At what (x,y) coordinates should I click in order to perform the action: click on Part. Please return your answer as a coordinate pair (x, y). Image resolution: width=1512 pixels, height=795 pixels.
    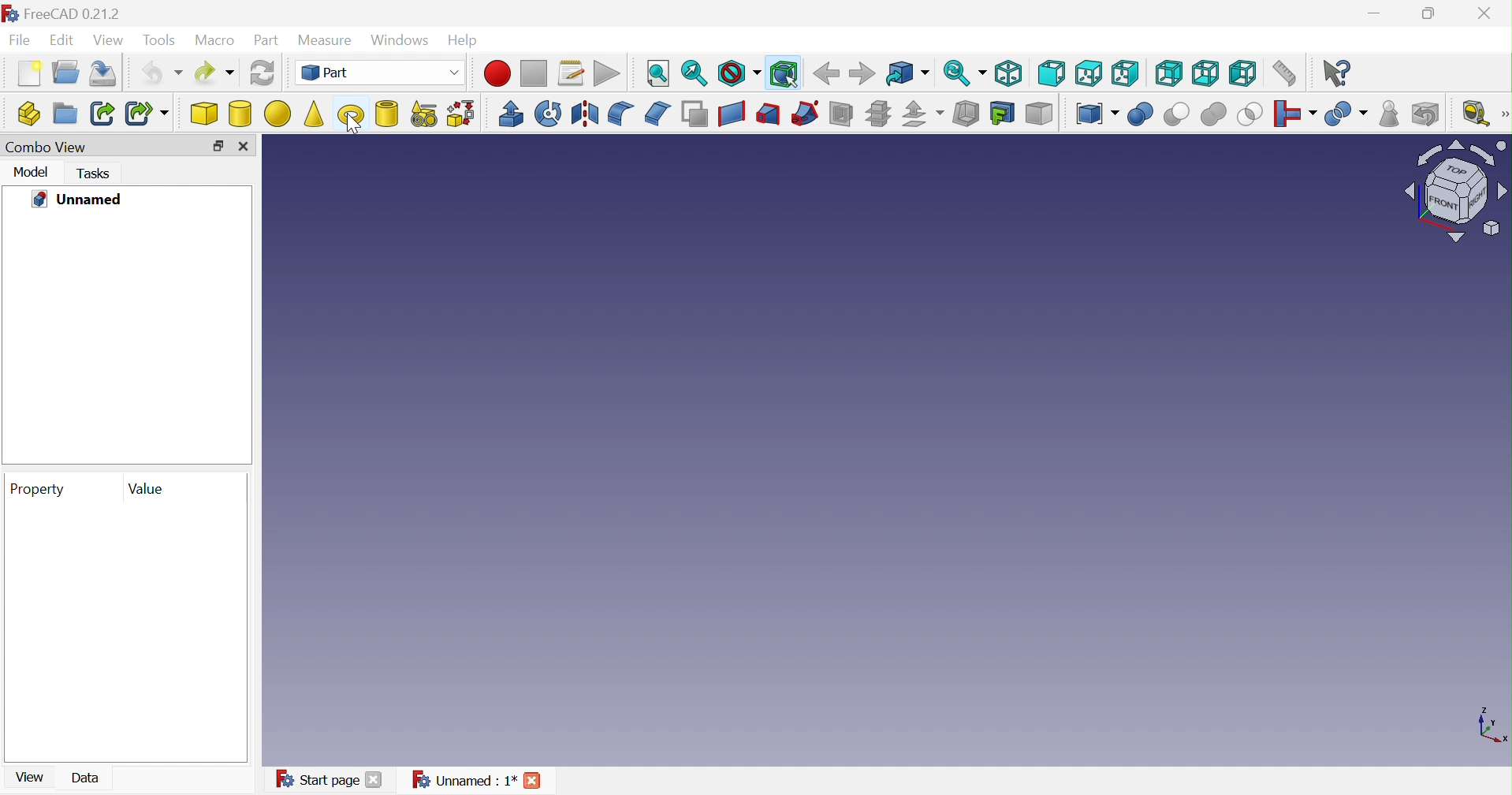
    Looking at the image, I should click on (385, 72).